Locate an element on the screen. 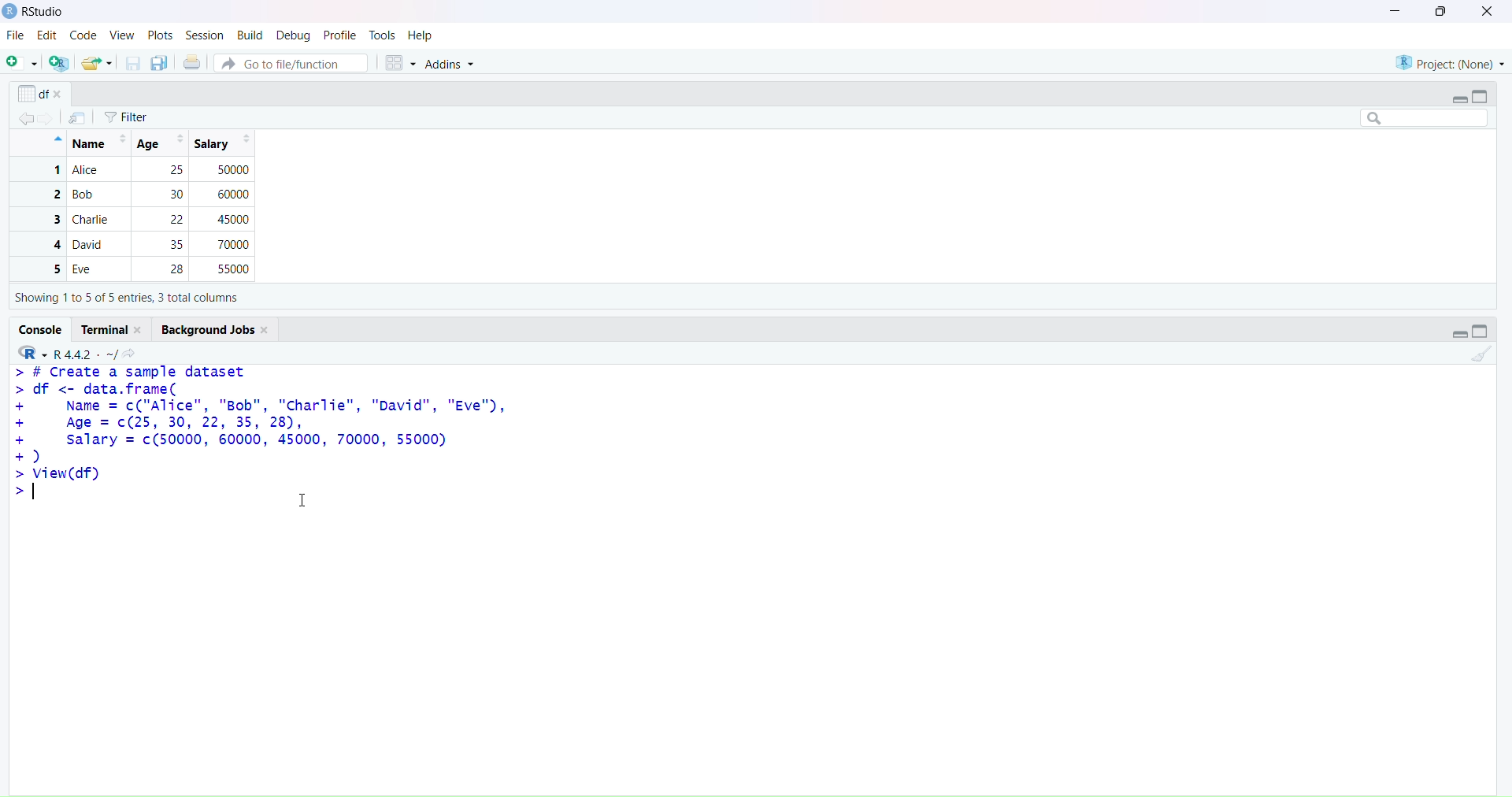 The width and height of the screenshot is (1512, 797). collapse is located at coordinates (1486, 96).